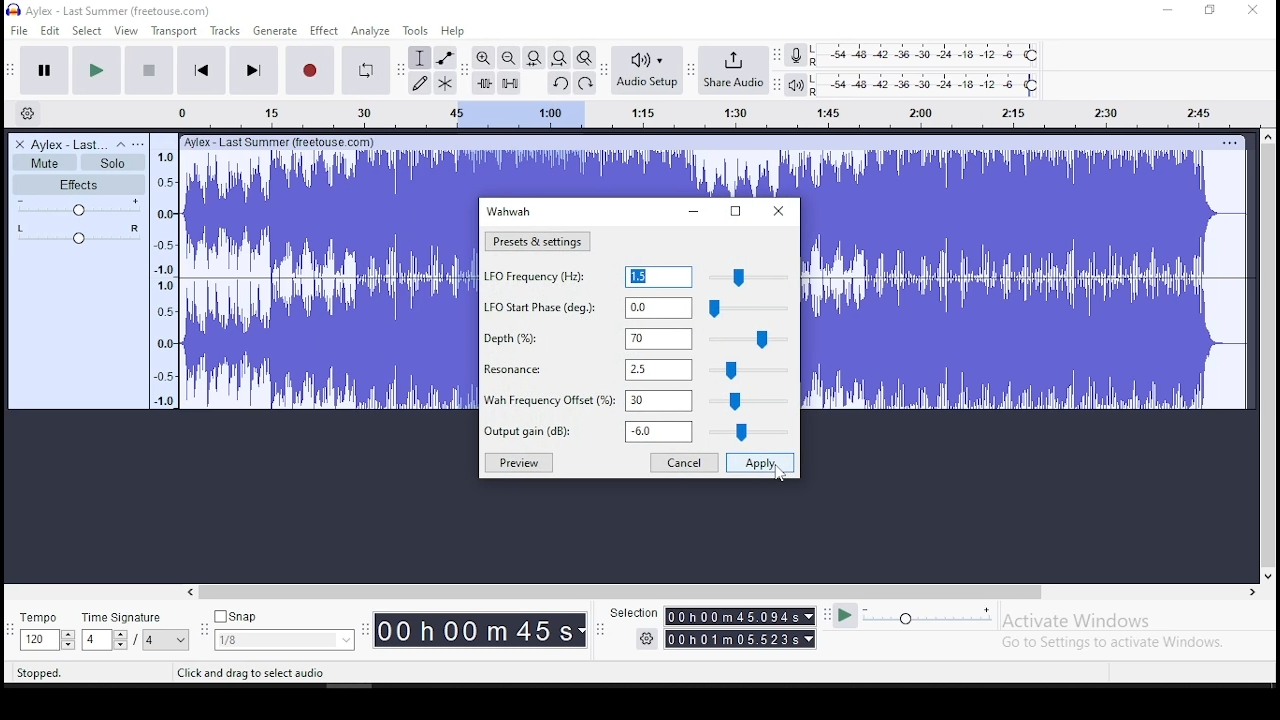 The image size is (1280, 720). I want to click on delete track, so click(19, 144).